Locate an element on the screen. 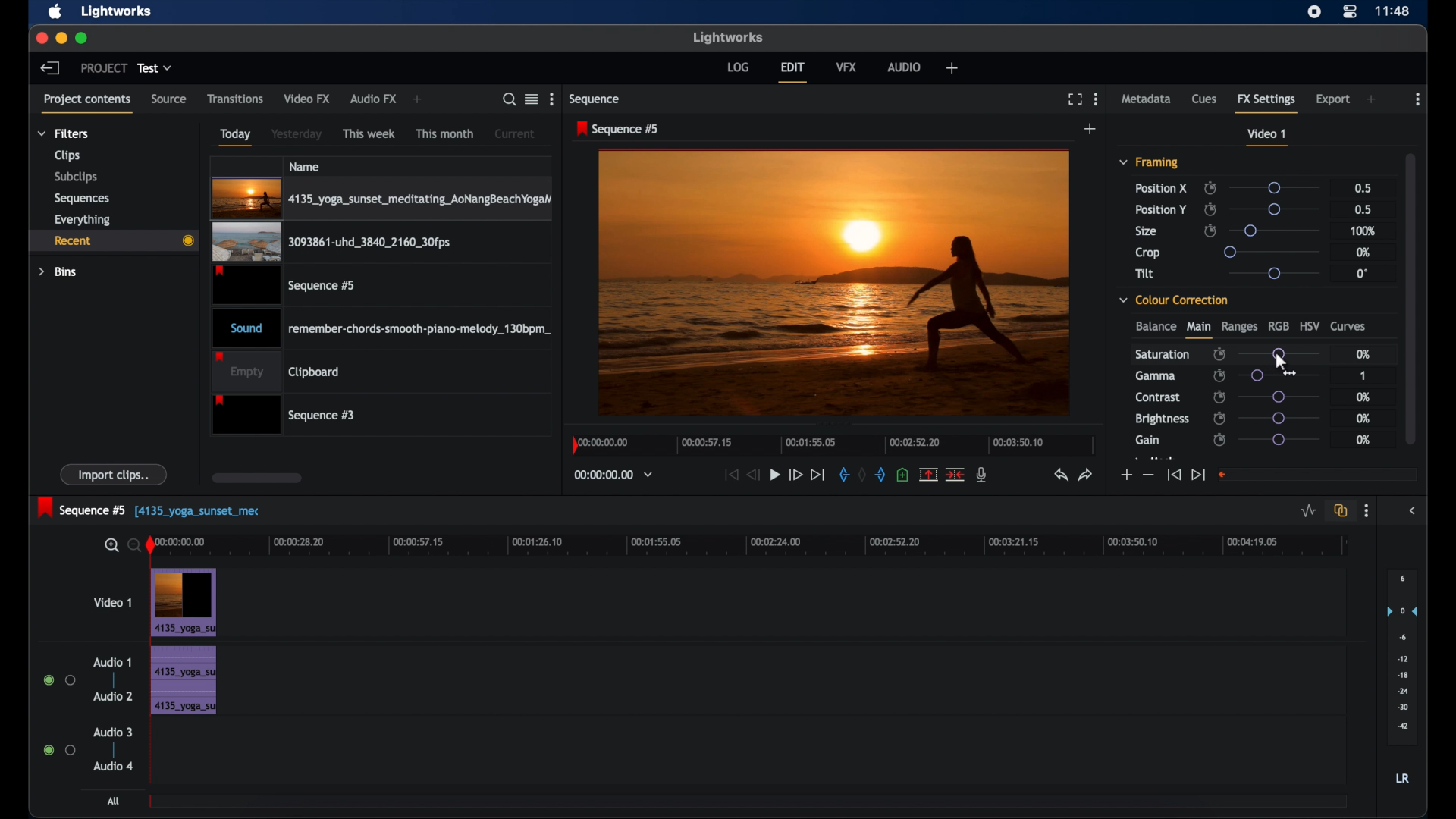 The image size is (1456, 819). subclips is located at coordinates (74, 178).